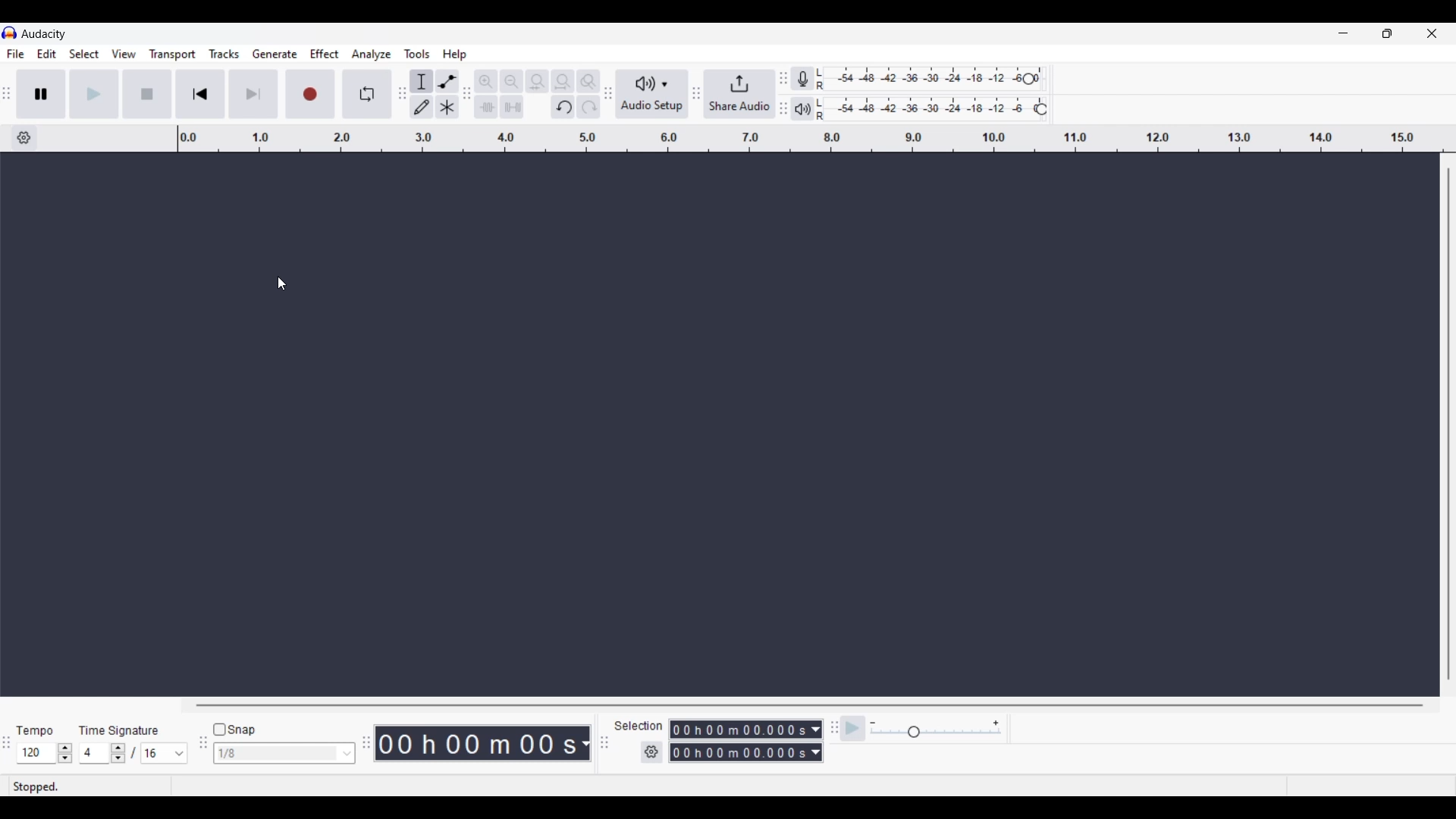 The image size is (1456, 819). What do you see at coordinates (281, 284) in the screenshot?
I see `Cursor` at bounding box center [281, 284].